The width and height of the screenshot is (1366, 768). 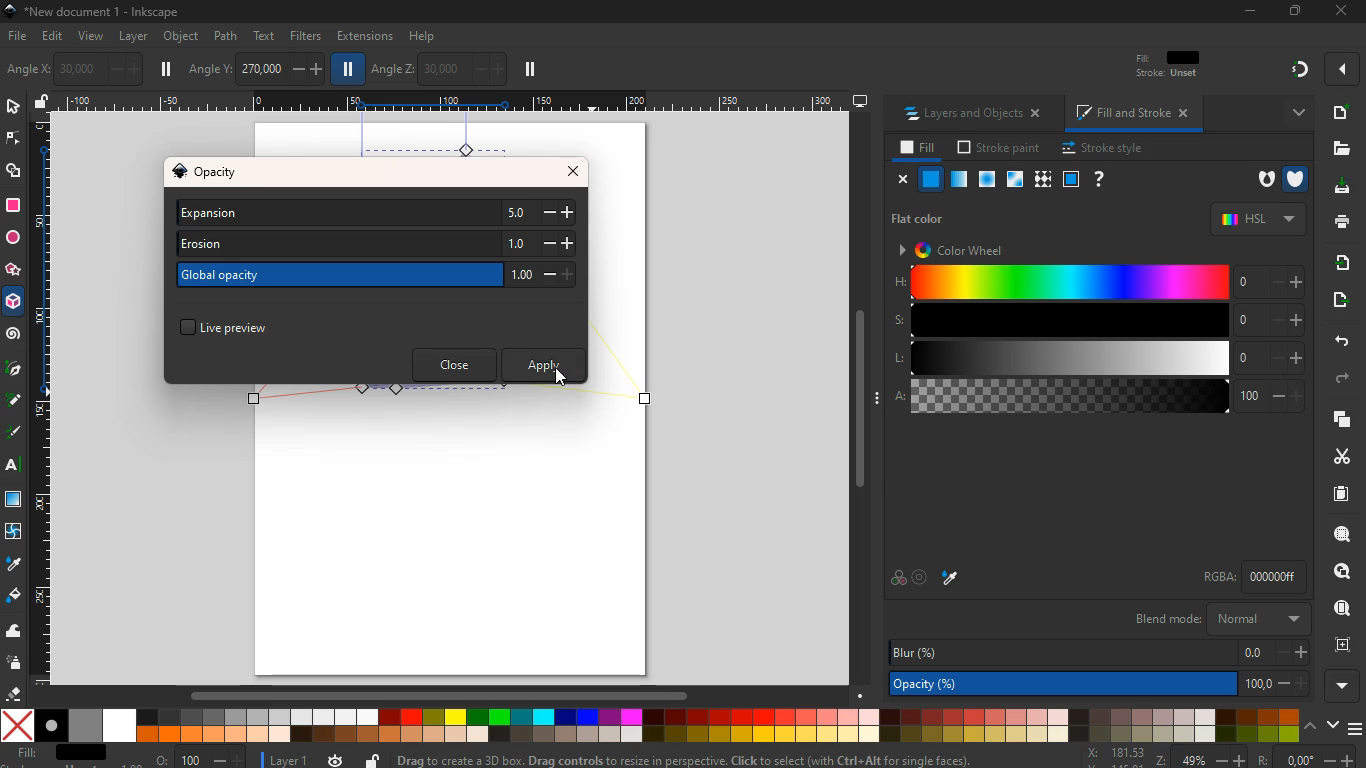 What do you see at coordinates (1336, 262) in the screenshot?
I see `receive` at bounding box center [1336, 262].